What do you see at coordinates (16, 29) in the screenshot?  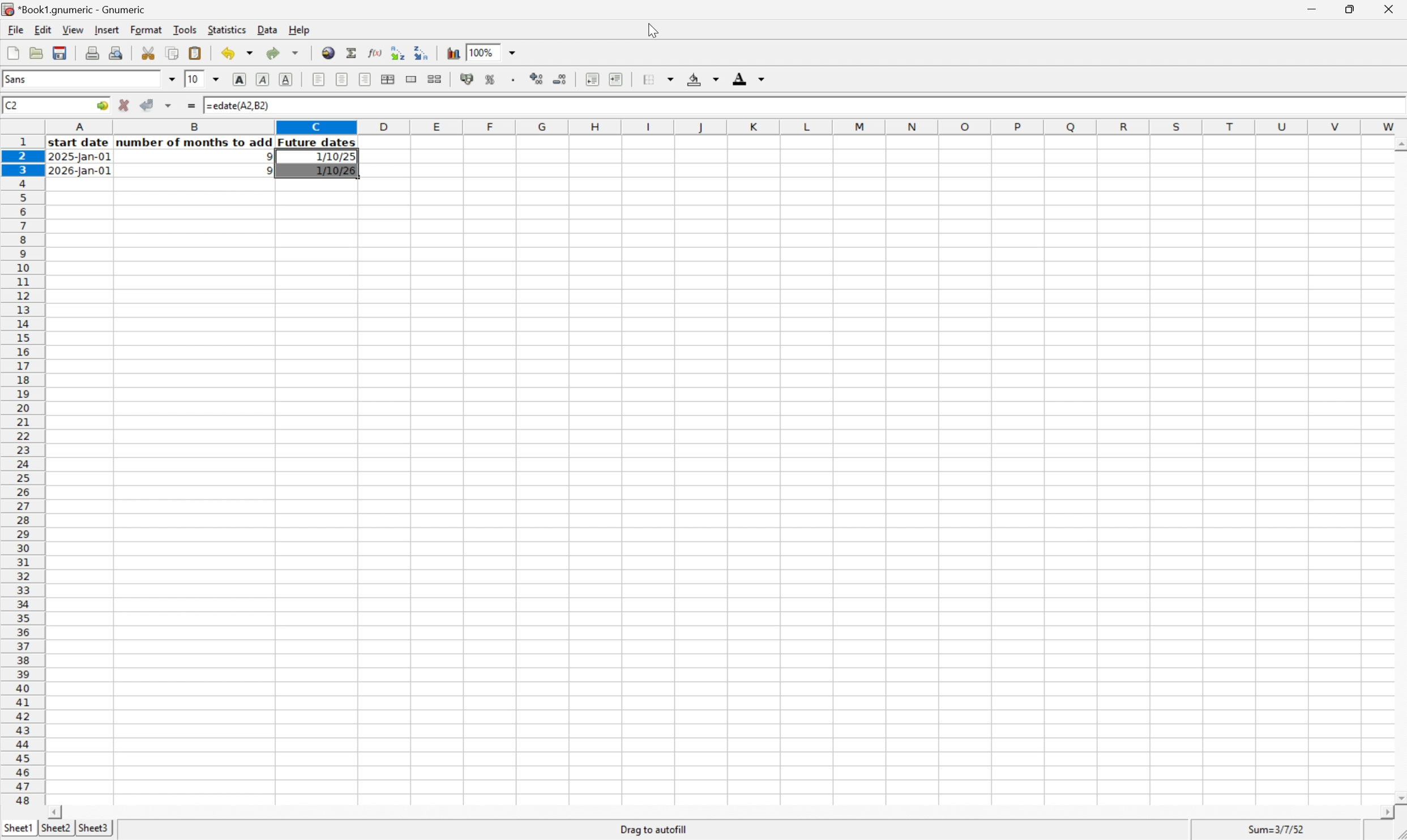 I see `File` at bounding box center [16, 29].